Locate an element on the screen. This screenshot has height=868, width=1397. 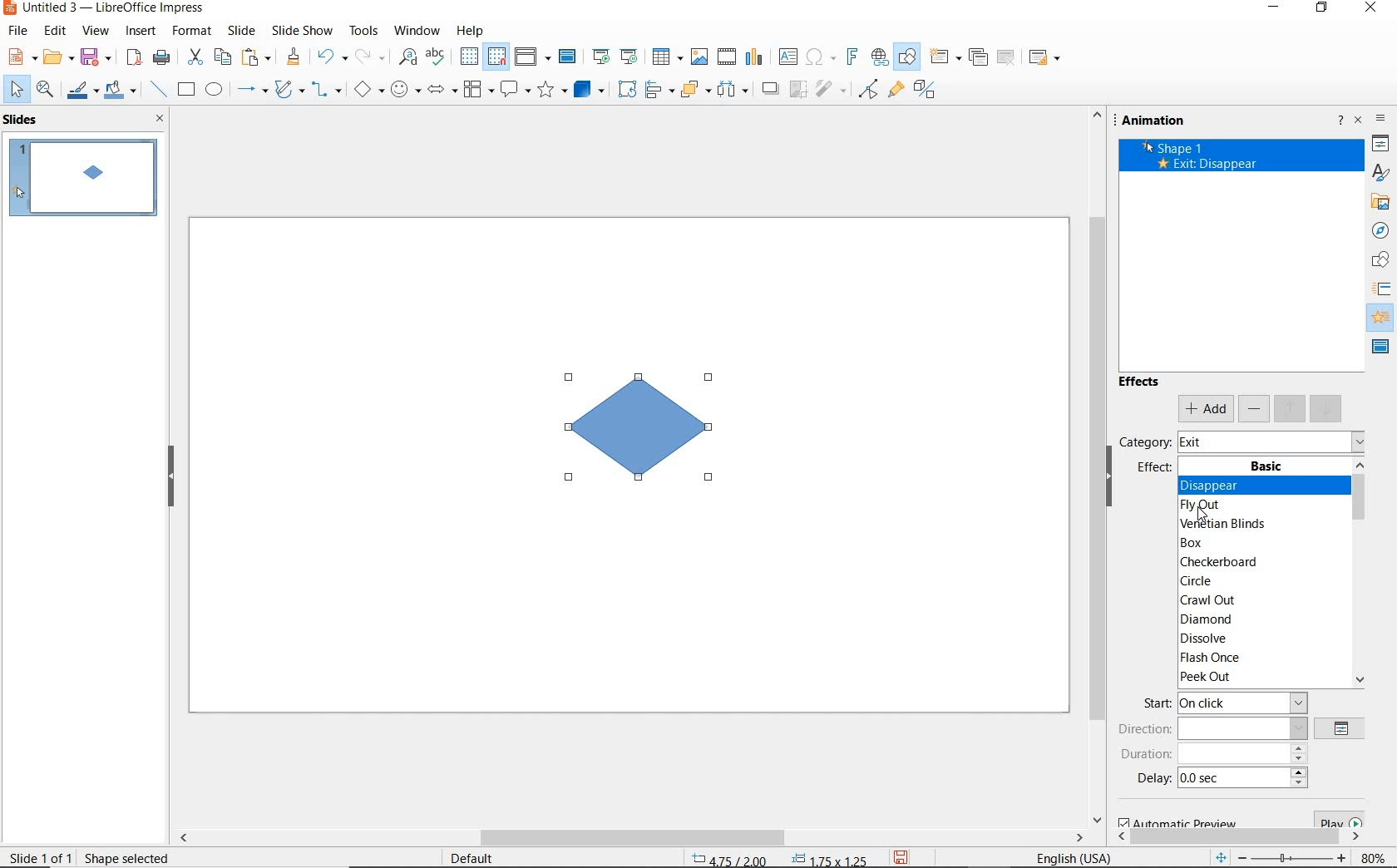
snap to grid is located at coordinates (497, 57).